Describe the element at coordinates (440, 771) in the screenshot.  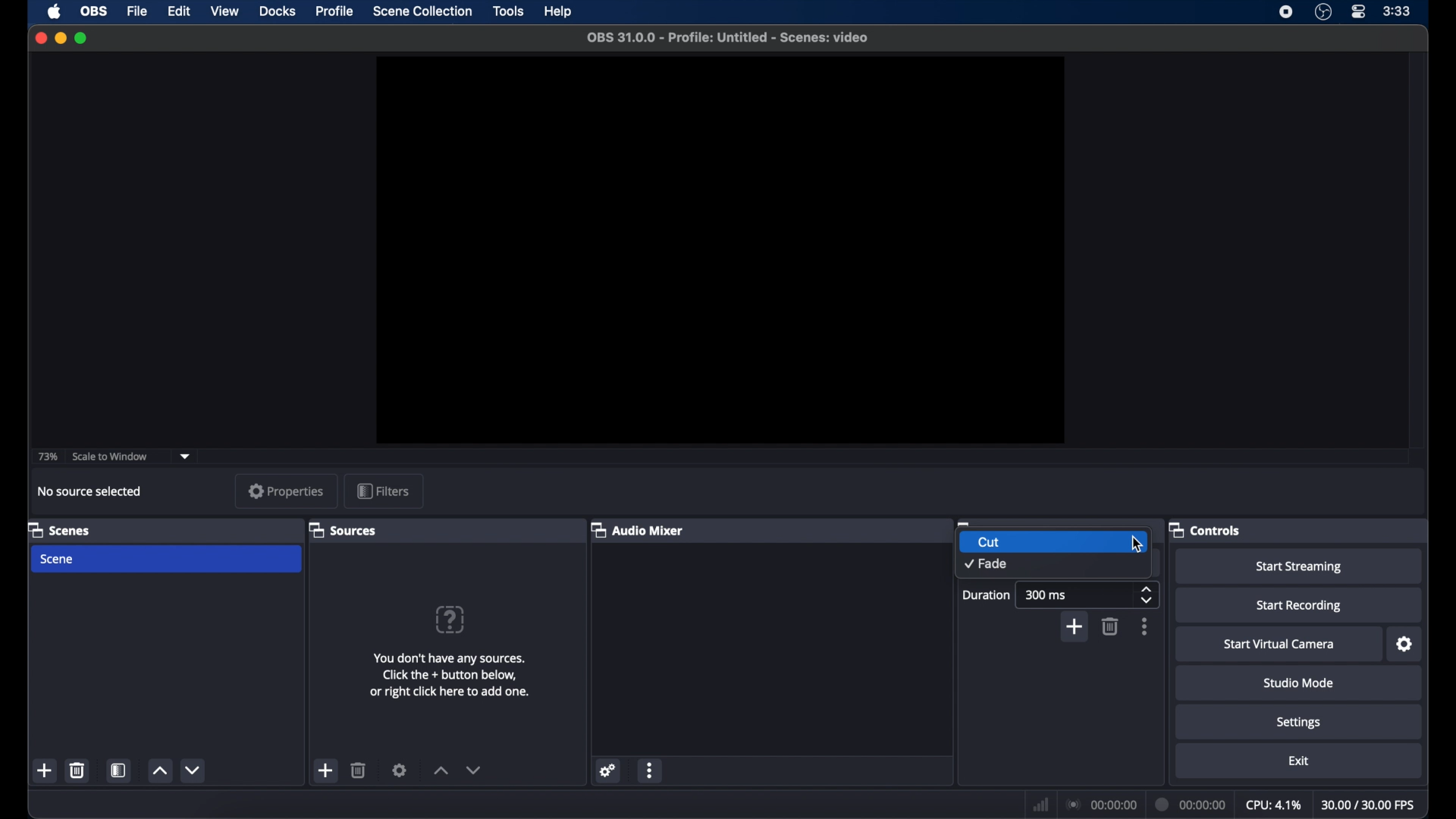
I see `increment` at that location.